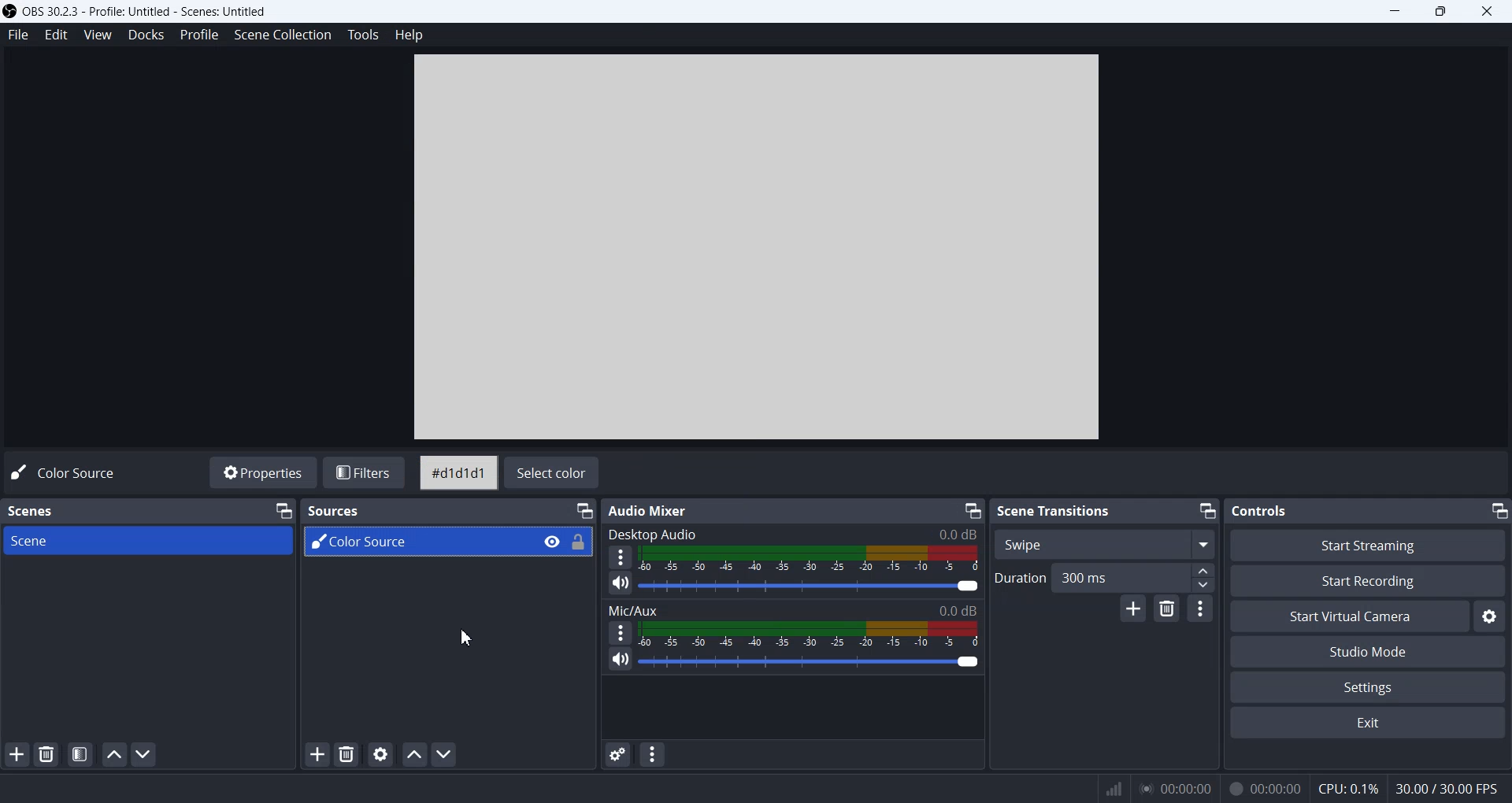 This screenshot has width=1512, height=803. I want to click on Docks, so click(146, 34).